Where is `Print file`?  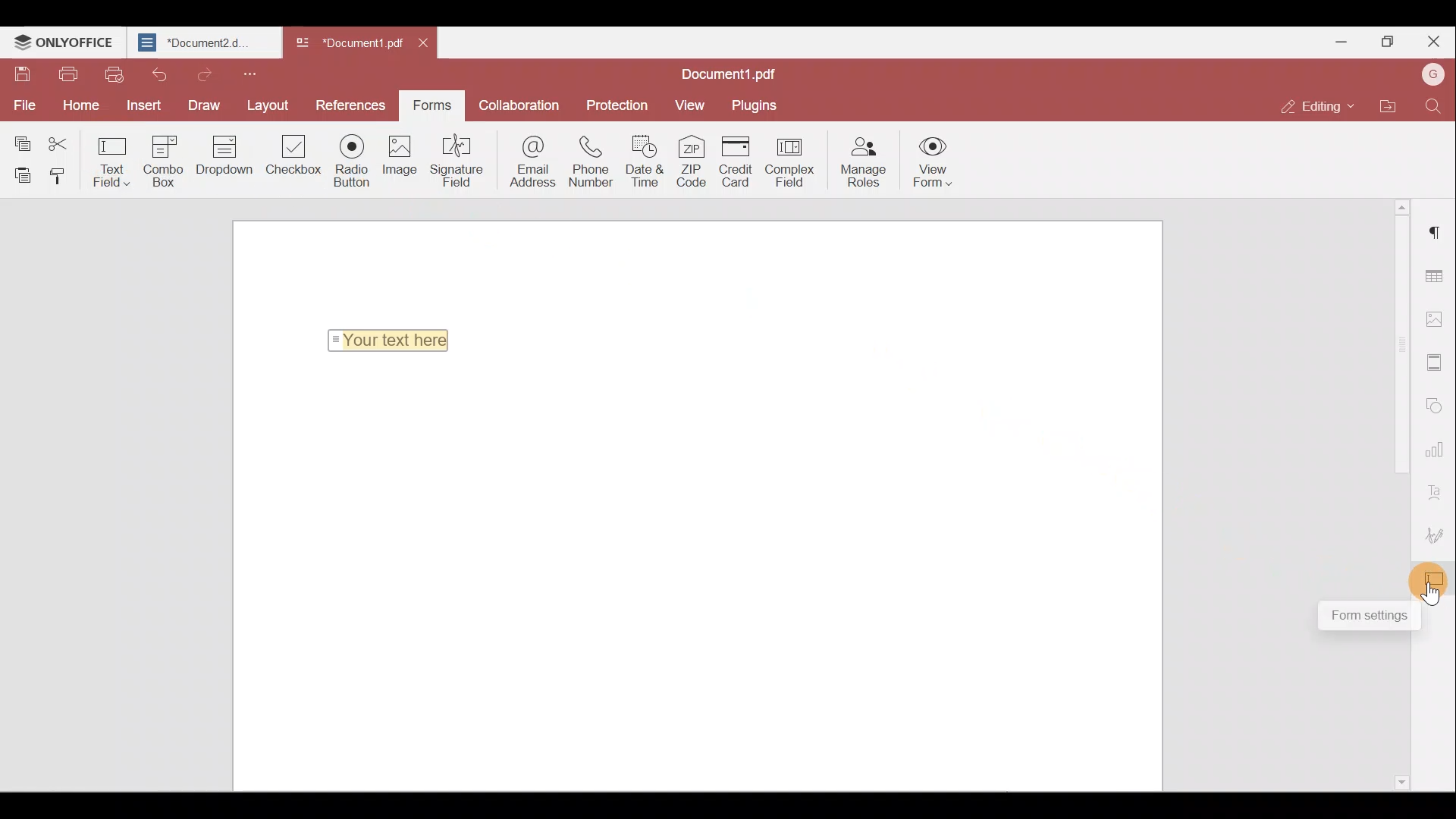 Print file is located at coordinates (67, 74).